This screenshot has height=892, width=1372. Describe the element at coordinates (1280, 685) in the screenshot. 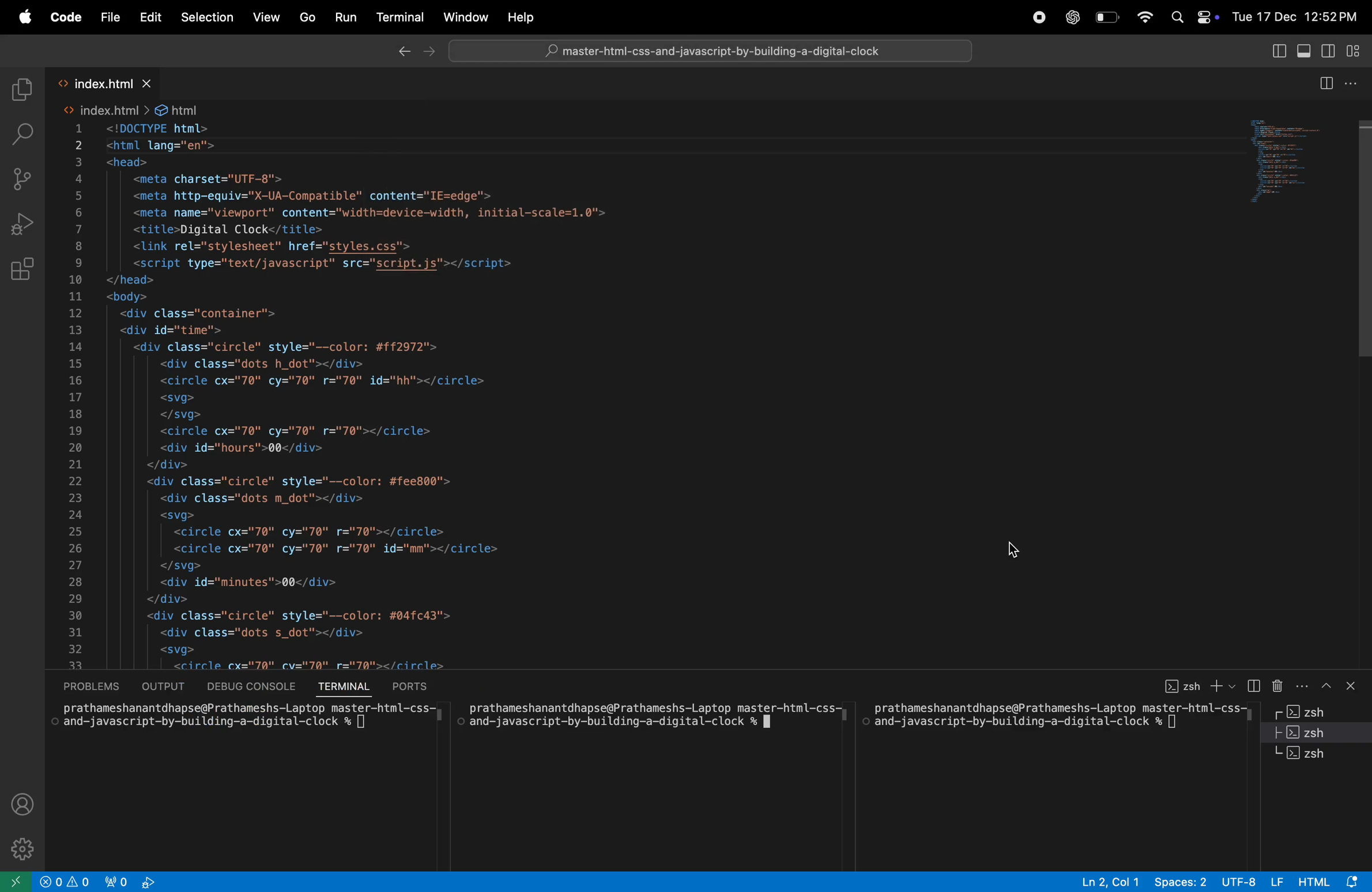

I see `delete` at that location.